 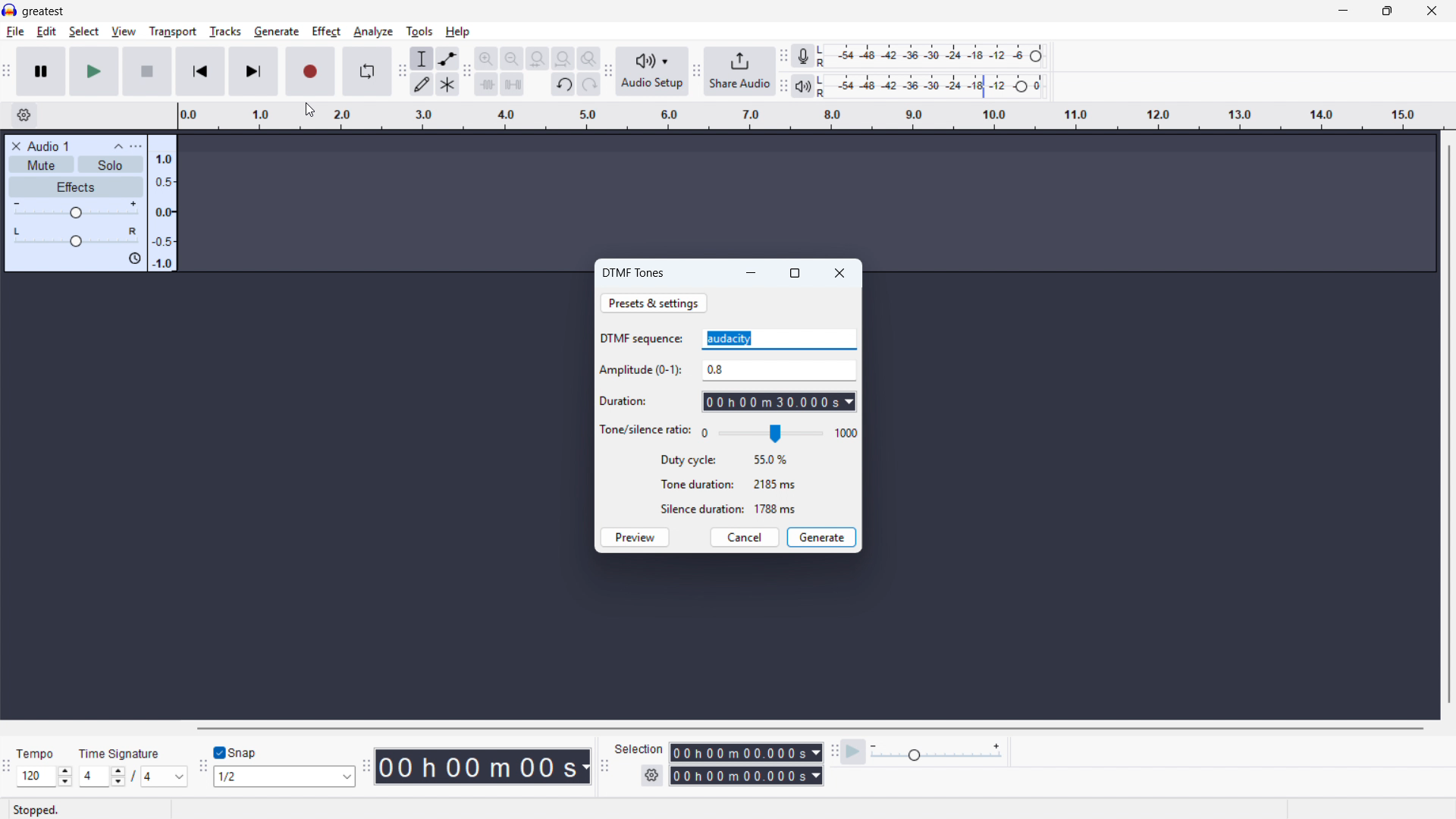 What do you see at coordinates (485, 765) in the screenshot?
I see `Timestamp ` at bounding box center [485, 765].